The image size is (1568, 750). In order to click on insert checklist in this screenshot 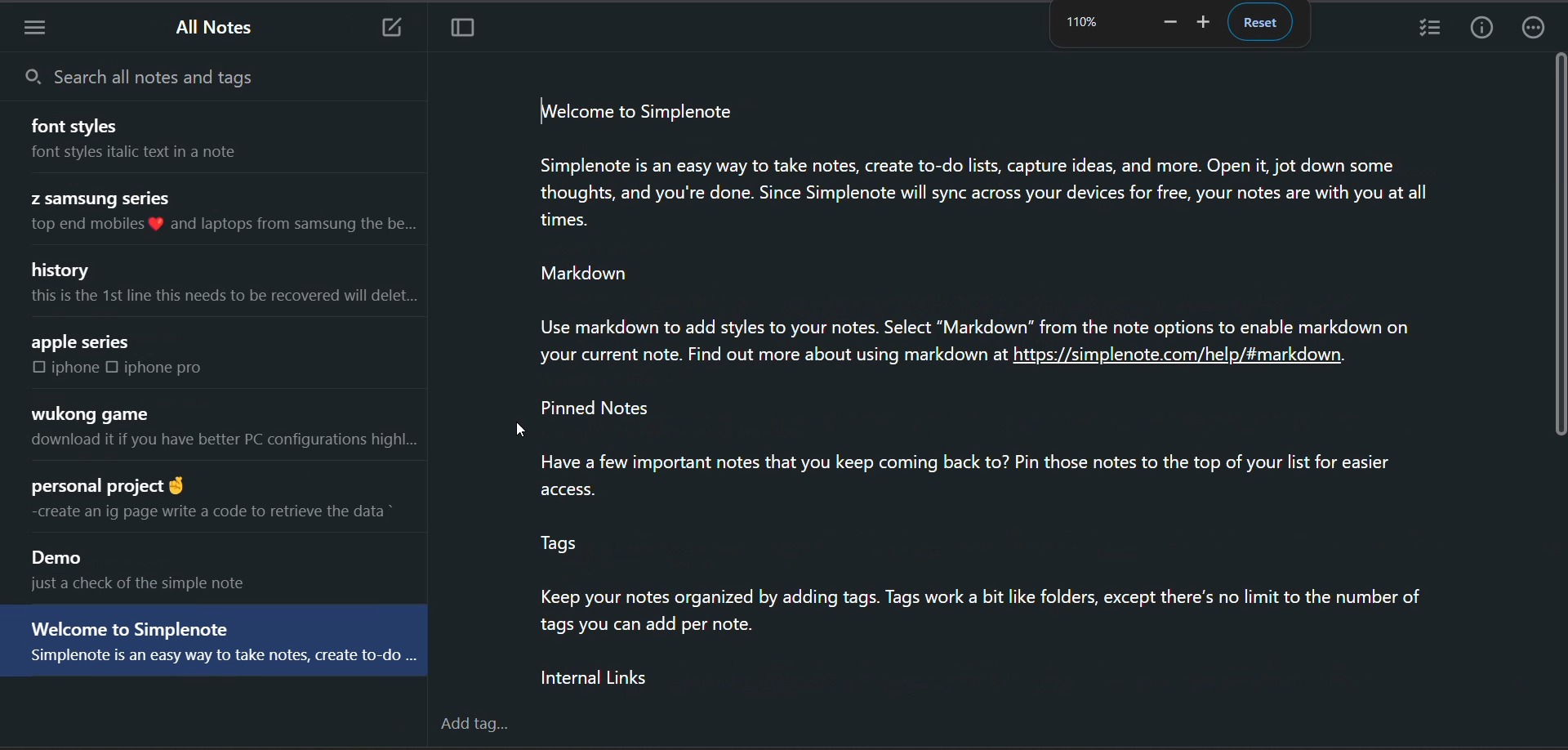, I will do `click(1429, 29)`.